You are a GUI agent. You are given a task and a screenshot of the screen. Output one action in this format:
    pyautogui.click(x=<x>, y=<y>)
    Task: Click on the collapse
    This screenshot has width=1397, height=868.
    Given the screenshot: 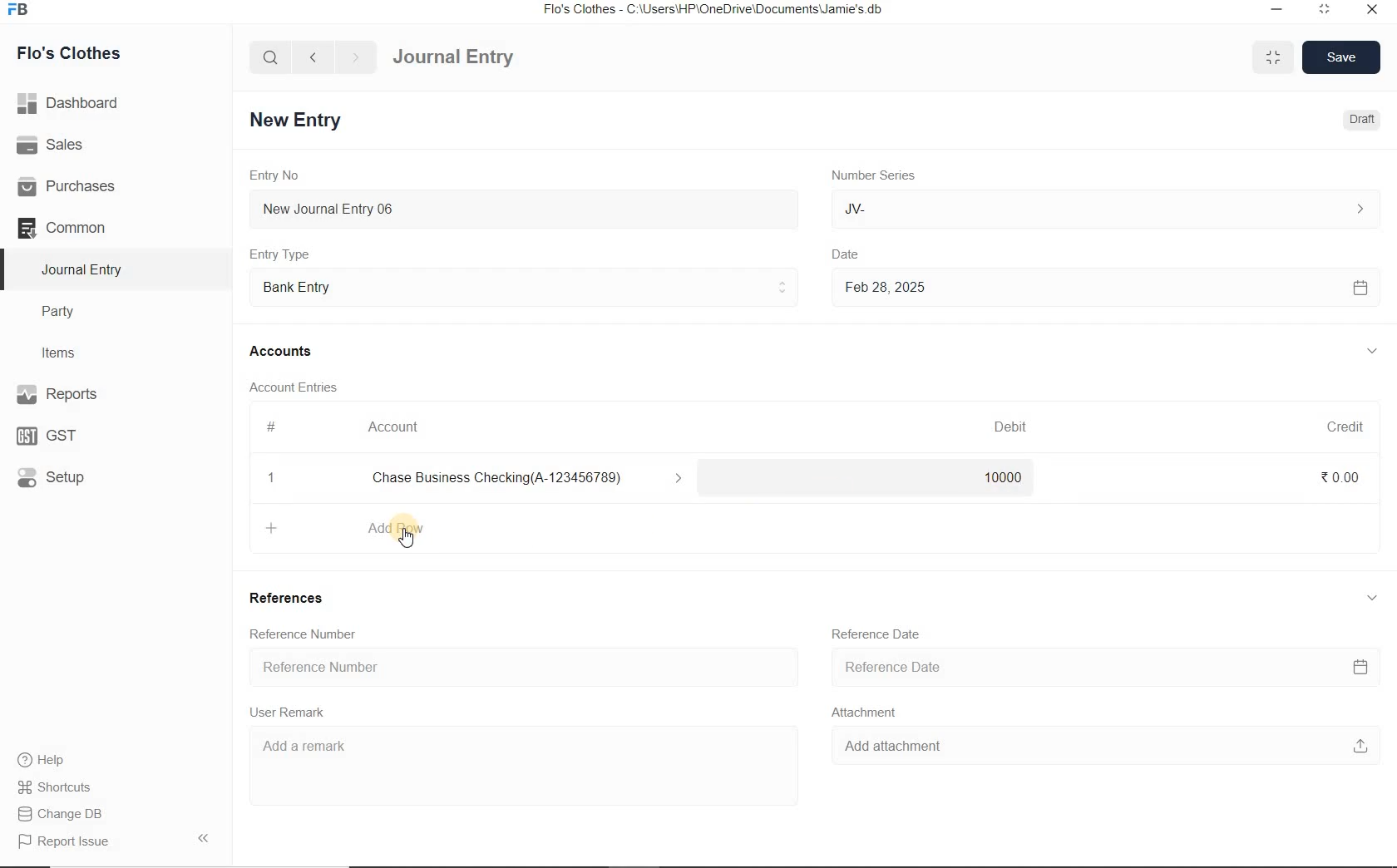 What is the action you would take?
    pyautogui.click(x=1370, y=598)
    